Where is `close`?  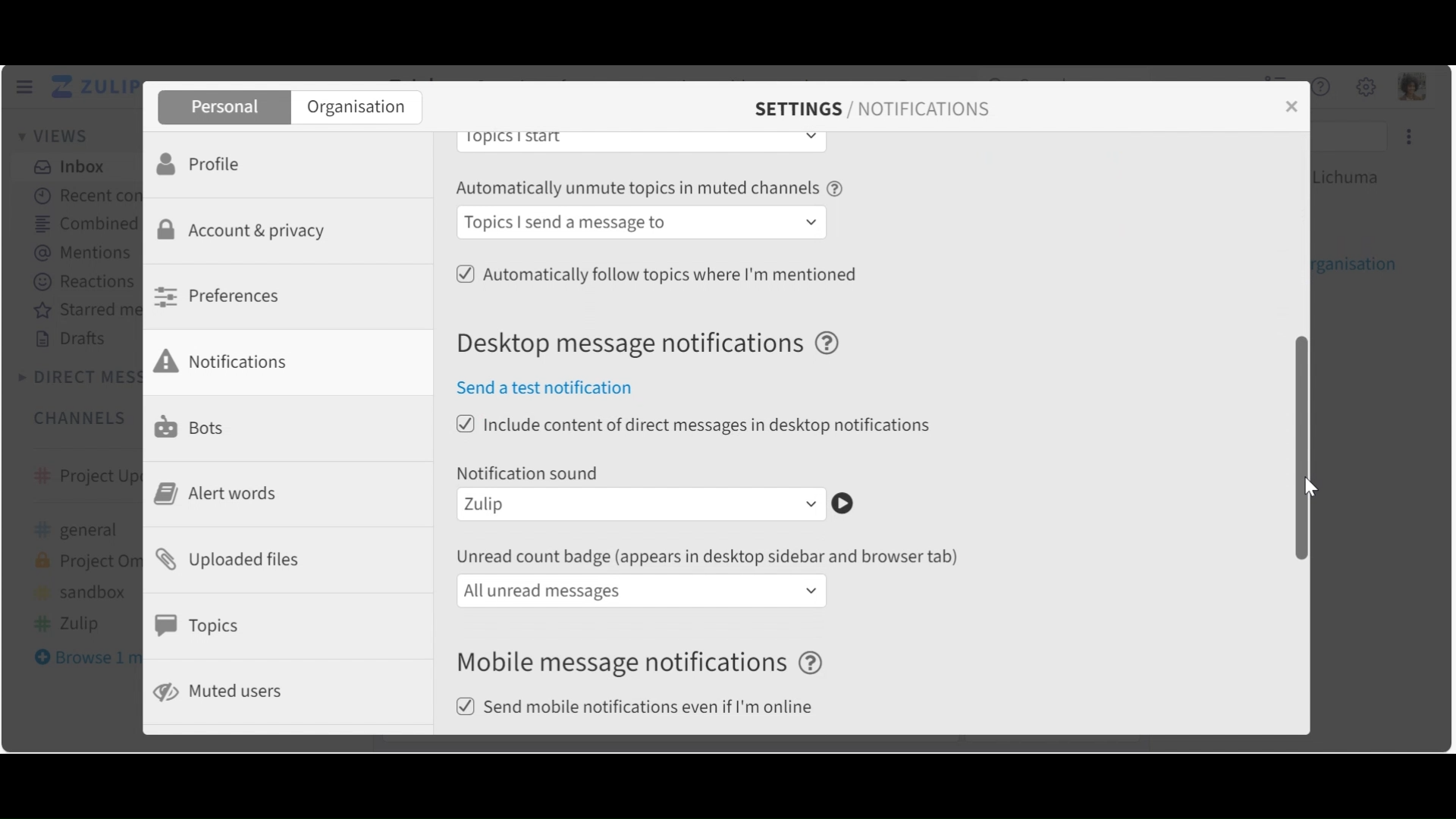
close is located at coordinates (1299, 109).